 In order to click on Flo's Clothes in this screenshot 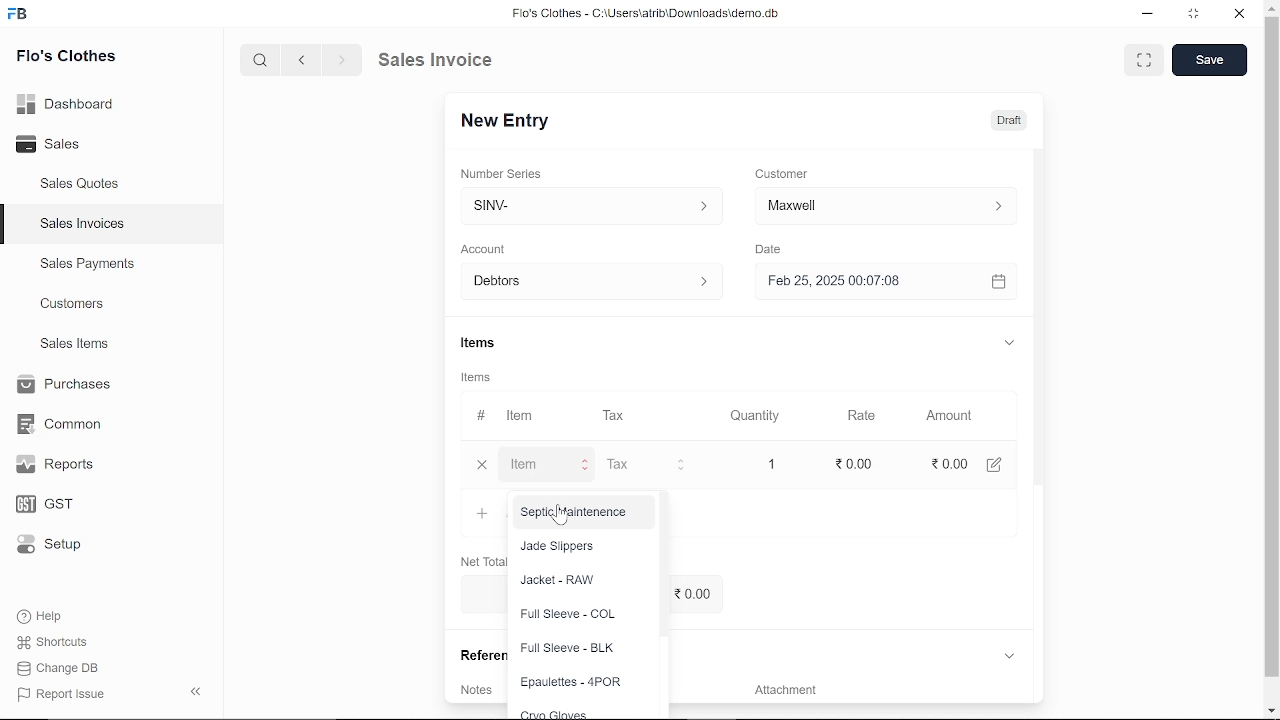, I will do `click(64, 59)`.